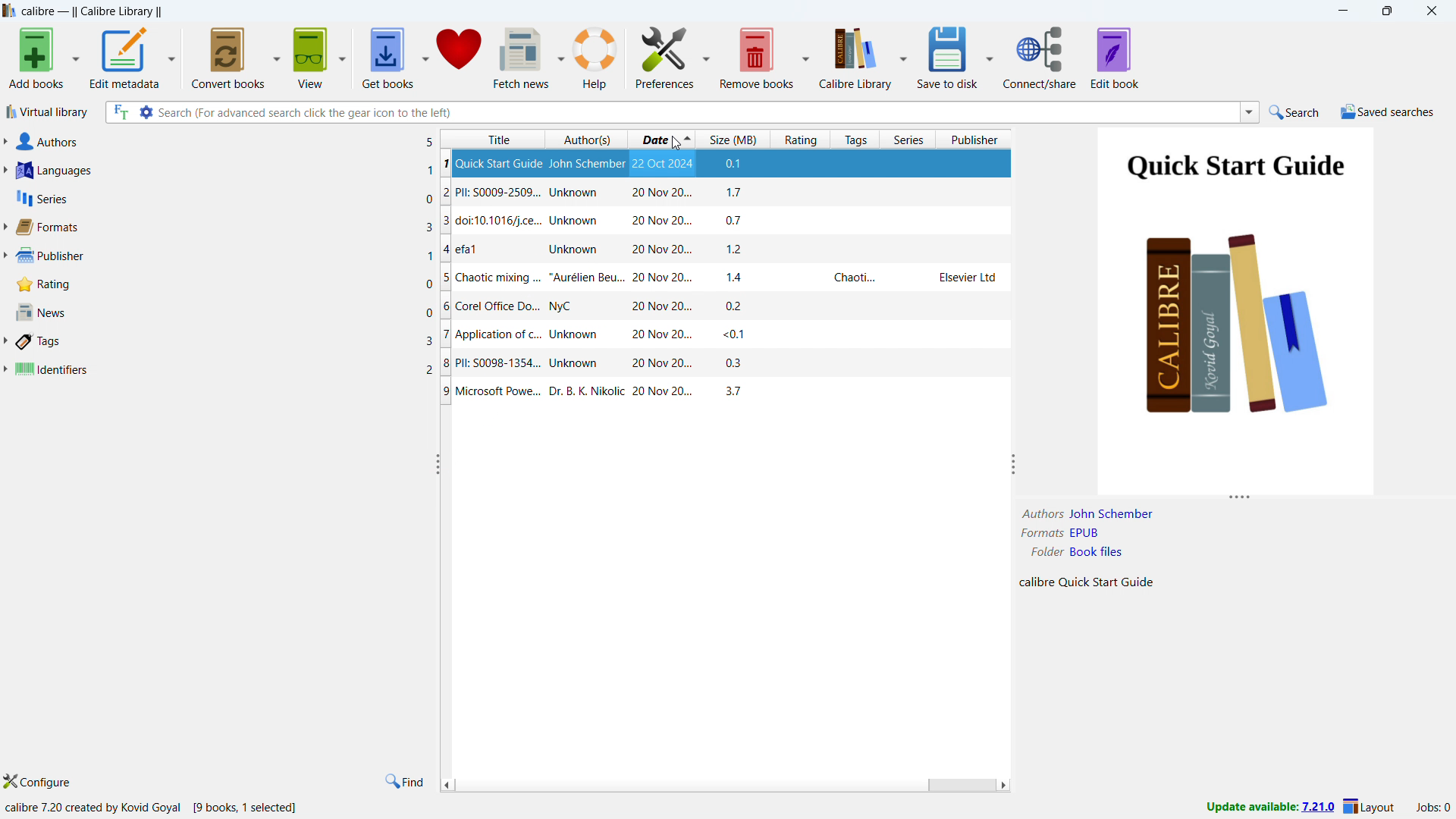 The image size is (1456, 819). Describe the element at coordinates (959, 786) in the screenshot. I see `Horizontal scrollbar` at that location.